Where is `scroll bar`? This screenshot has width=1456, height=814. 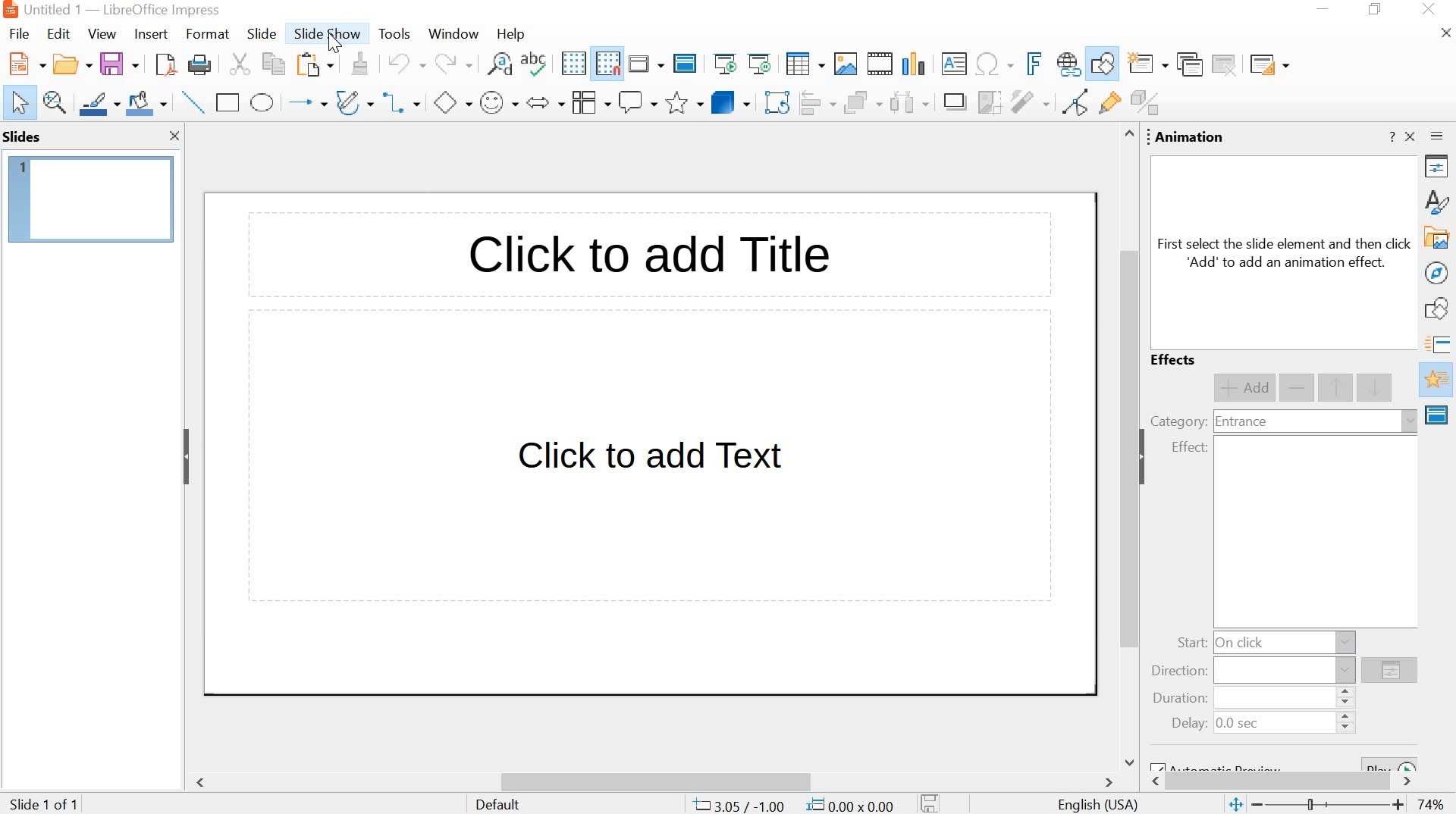 scroll bar is located at coordinates (657, 782).